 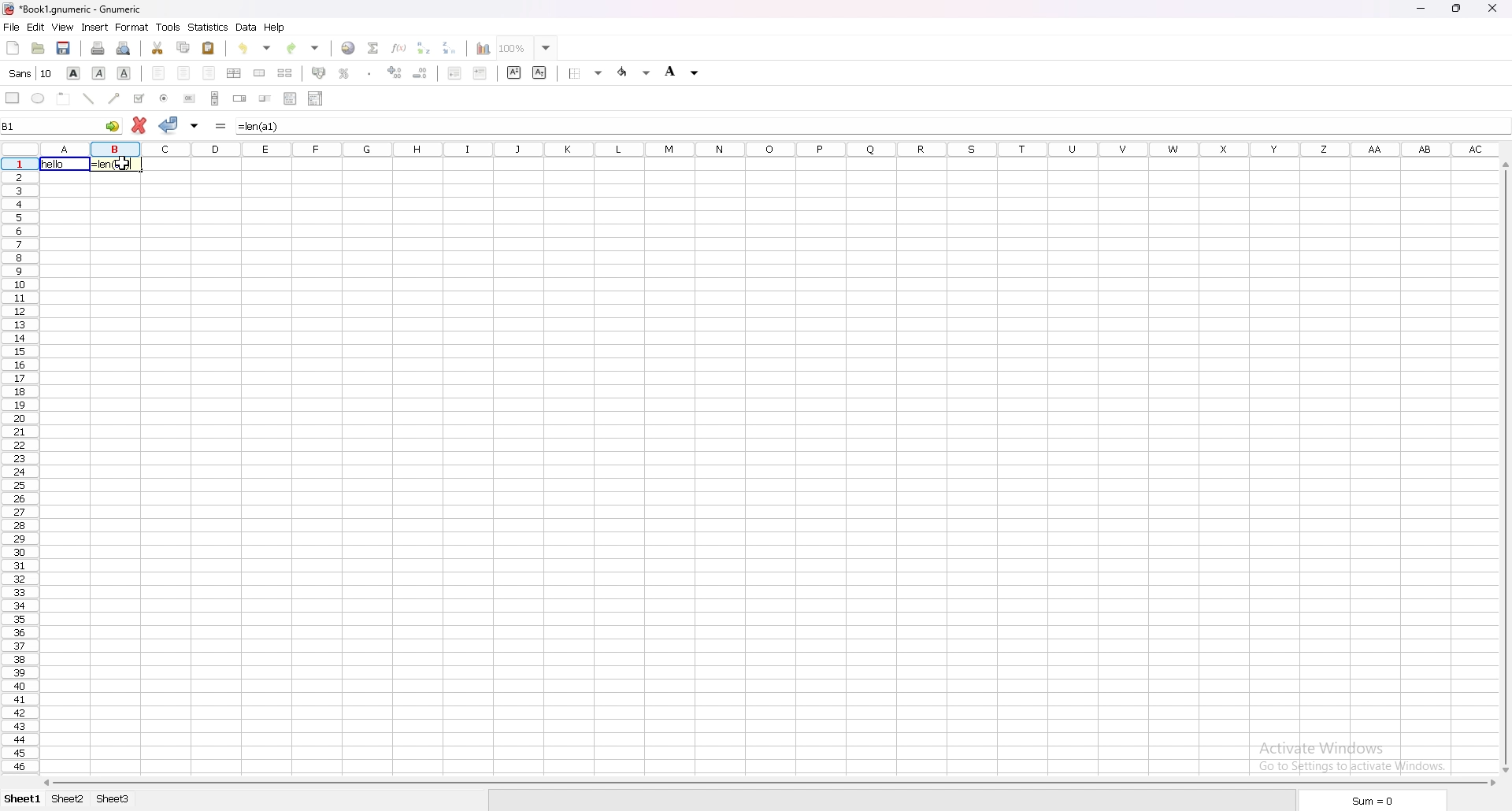 What do you see at coordinates (316, 98) in the screenshot?
I see `combo box` at bounding box center [316, 98].